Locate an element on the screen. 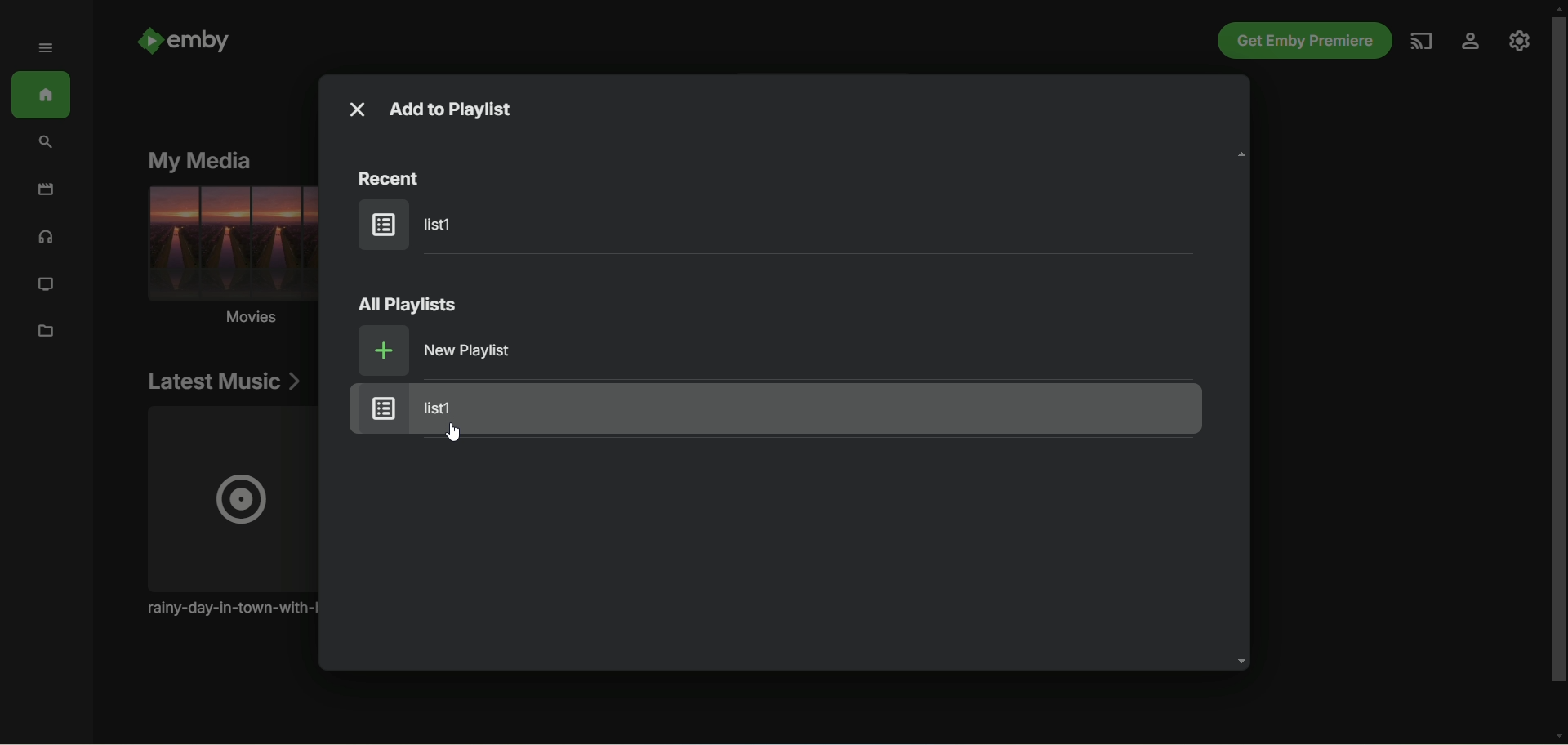 The image size is (1568, 745). my media is located at coordinates (198, 162).